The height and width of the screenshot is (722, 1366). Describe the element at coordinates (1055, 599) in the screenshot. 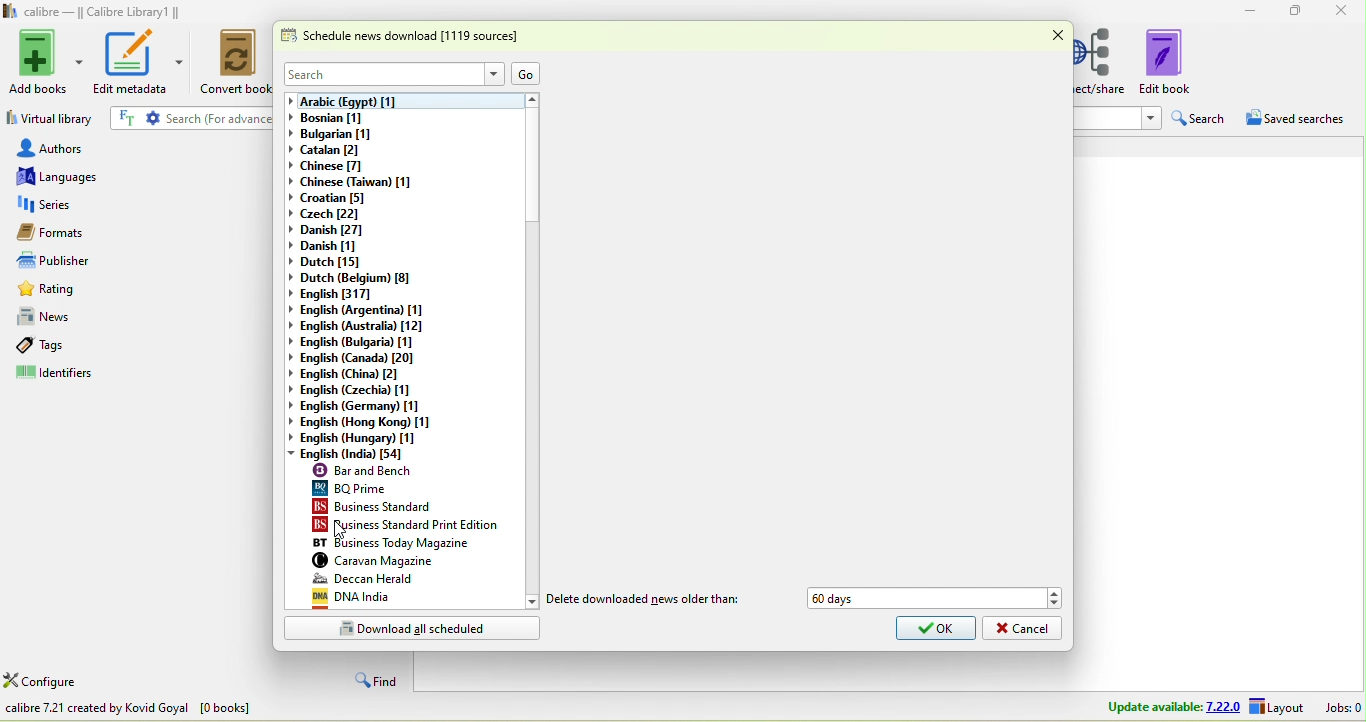

I see `Drop down` at that location.